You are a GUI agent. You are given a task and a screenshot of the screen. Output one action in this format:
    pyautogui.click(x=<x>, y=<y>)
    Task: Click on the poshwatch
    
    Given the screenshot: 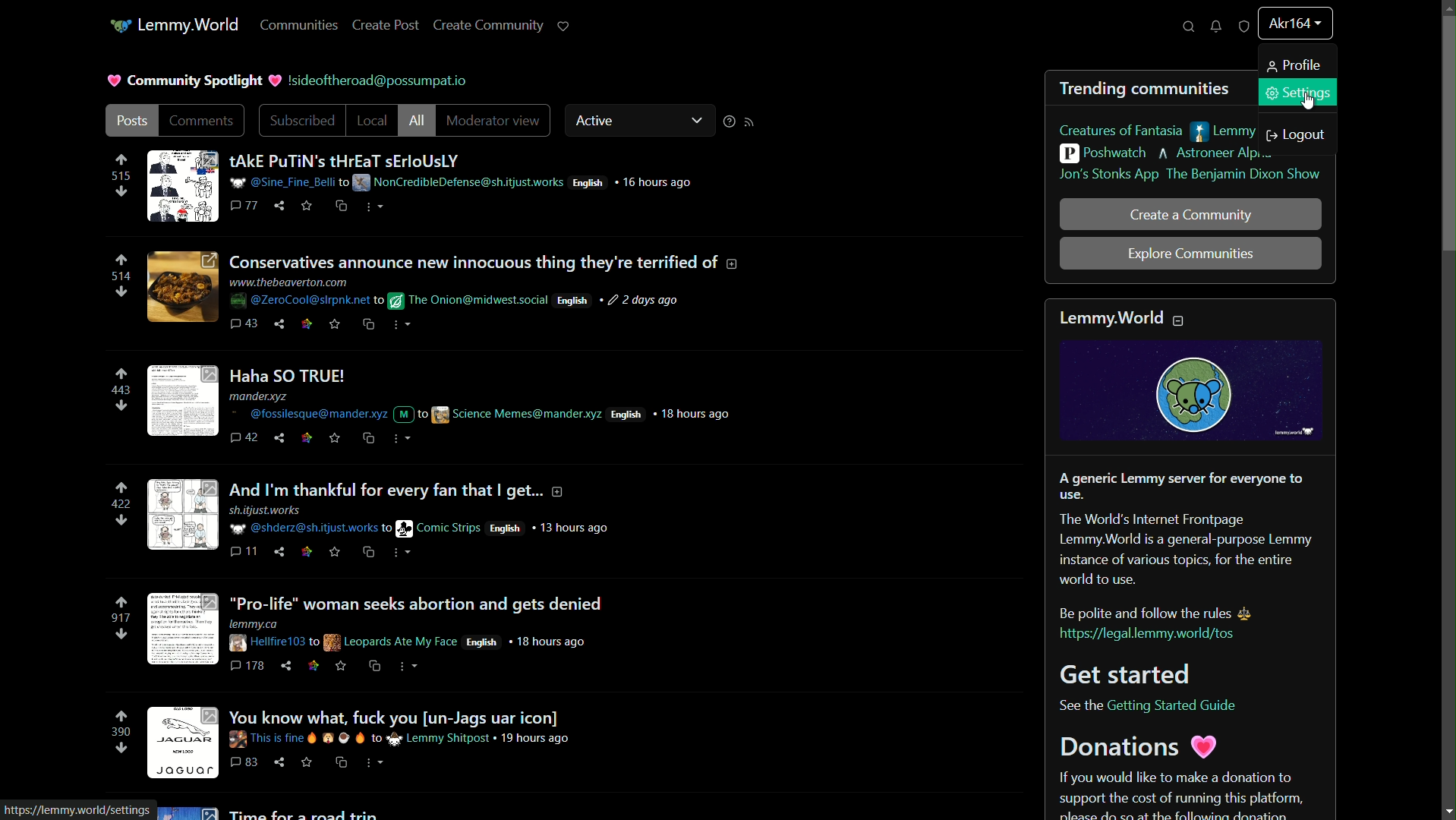 What is the action you would take?
    pyautogui.click(x=1102, y=153)
    